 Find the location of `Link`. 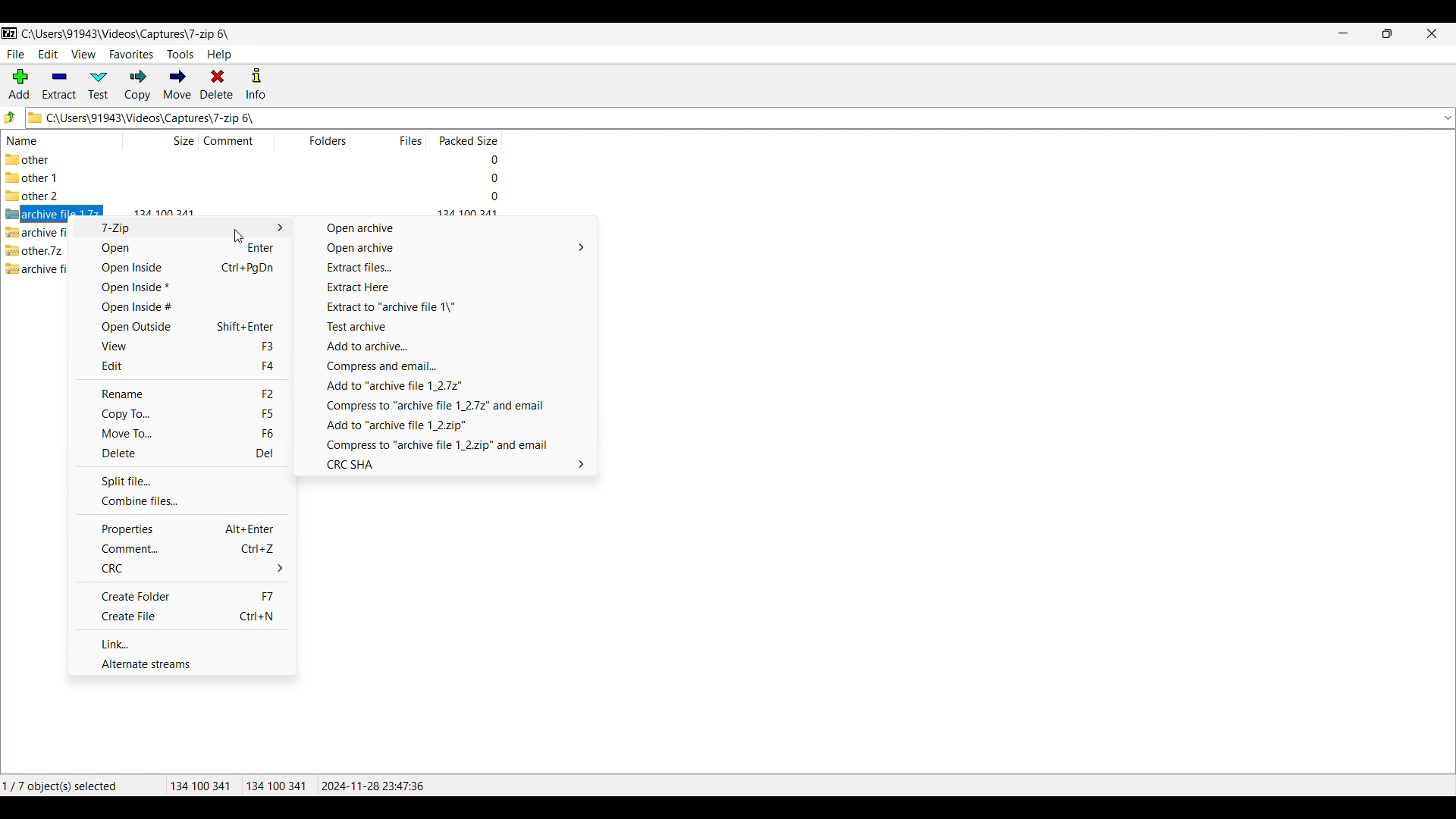

Link is located at coordinates (182, 643).